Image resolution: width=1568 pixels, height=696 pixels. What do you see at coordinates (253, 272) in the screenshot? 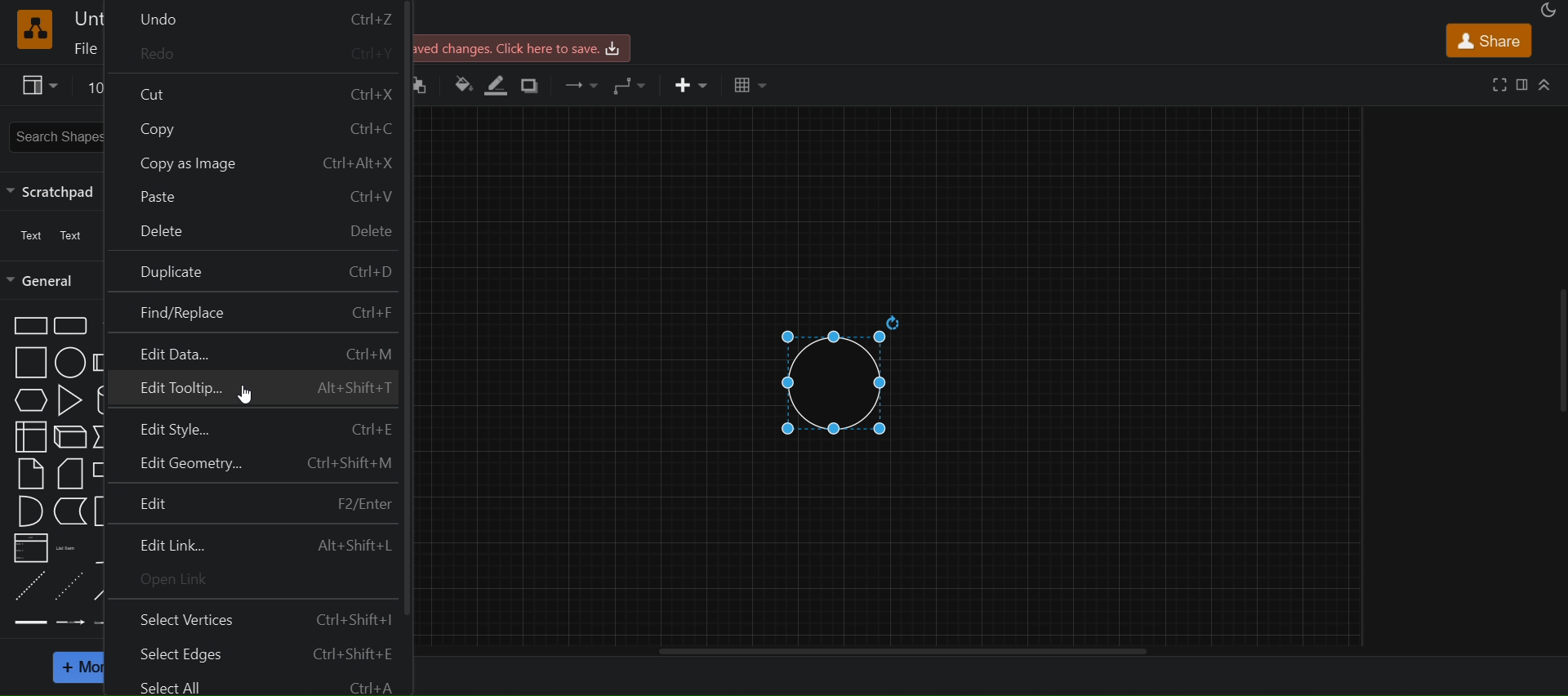
I see `duplicate` at bounding box center [253, 272].